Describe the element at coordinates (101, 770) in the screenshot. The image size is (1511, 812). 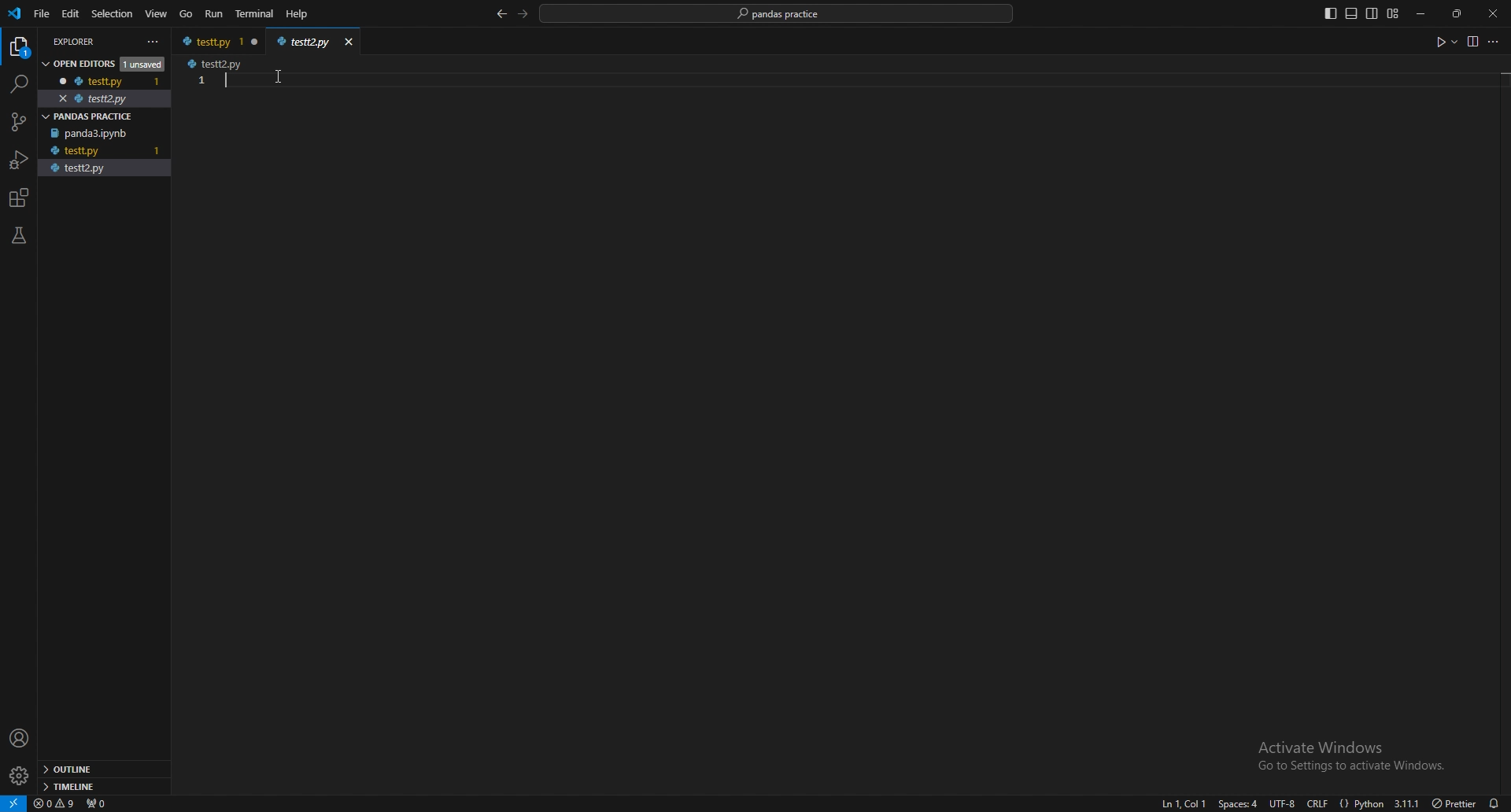
I see `outline` at that location.